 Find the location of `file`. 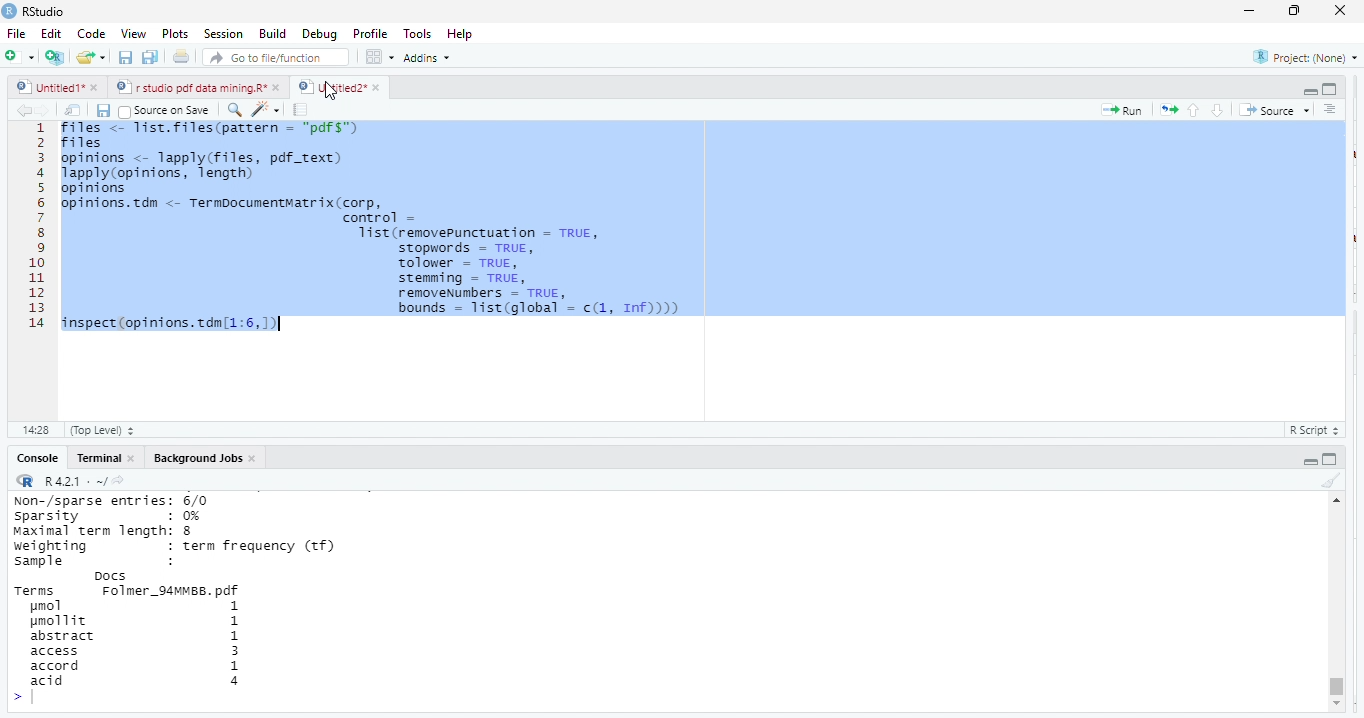

file is located at coordinates (18, 33).